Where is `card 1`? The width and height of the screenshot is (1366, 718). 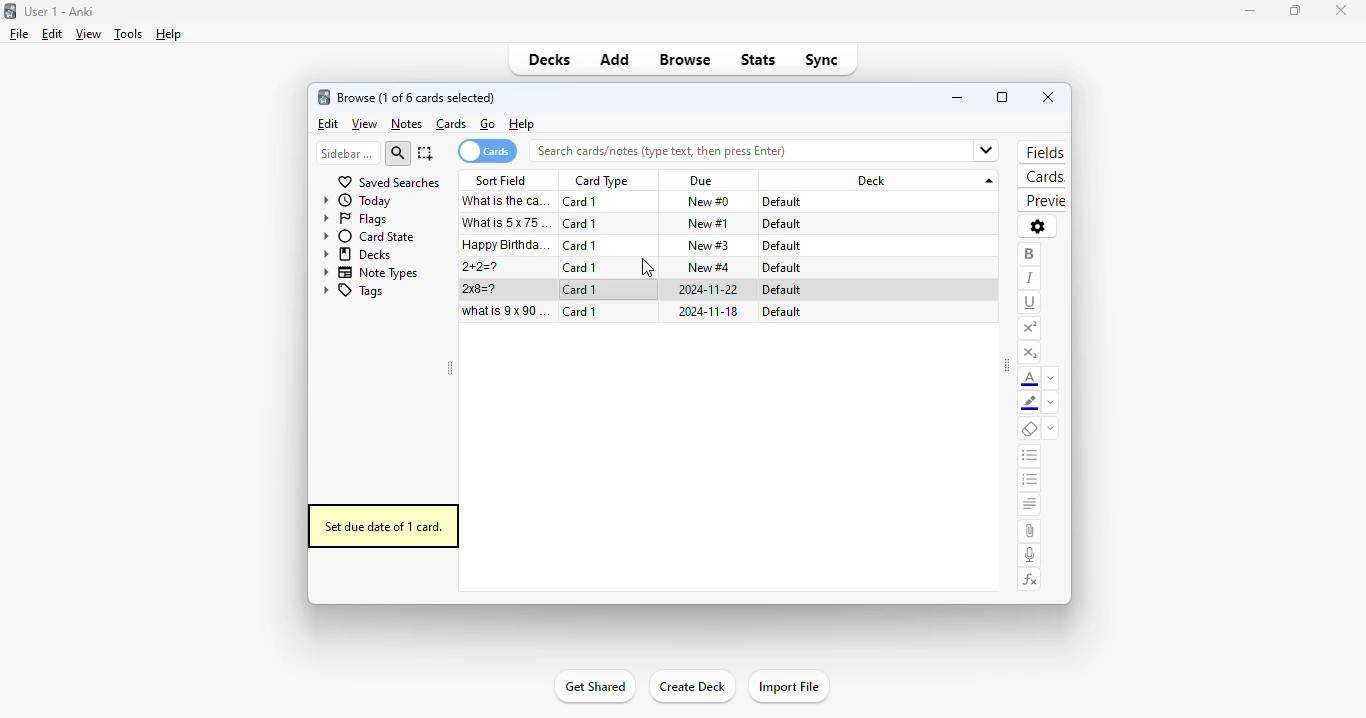
card 1 is located at coordinates (580, 290).